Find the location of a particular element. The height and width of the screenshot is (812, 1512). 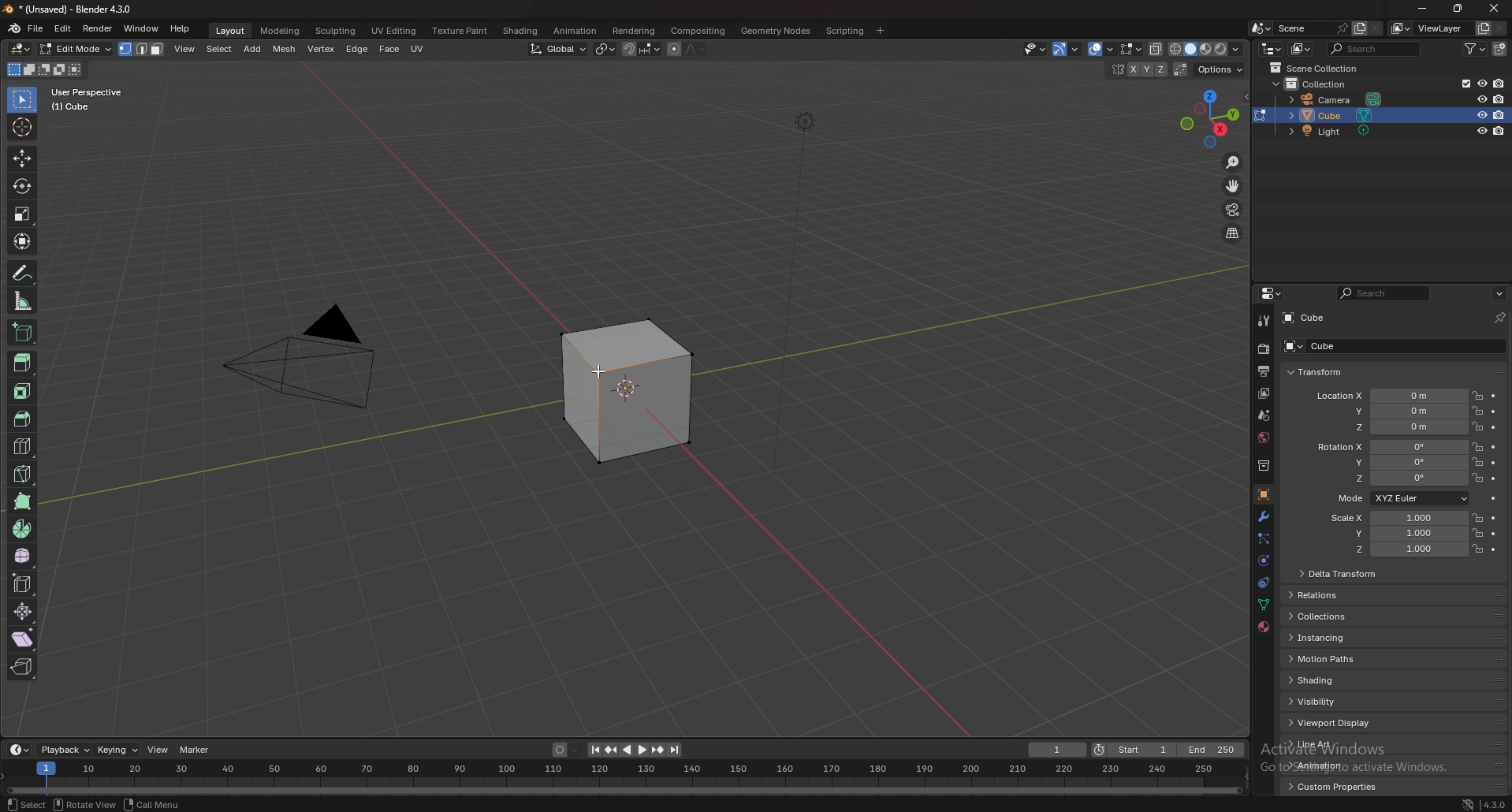

instancing is located at coordinates (1350, 637).